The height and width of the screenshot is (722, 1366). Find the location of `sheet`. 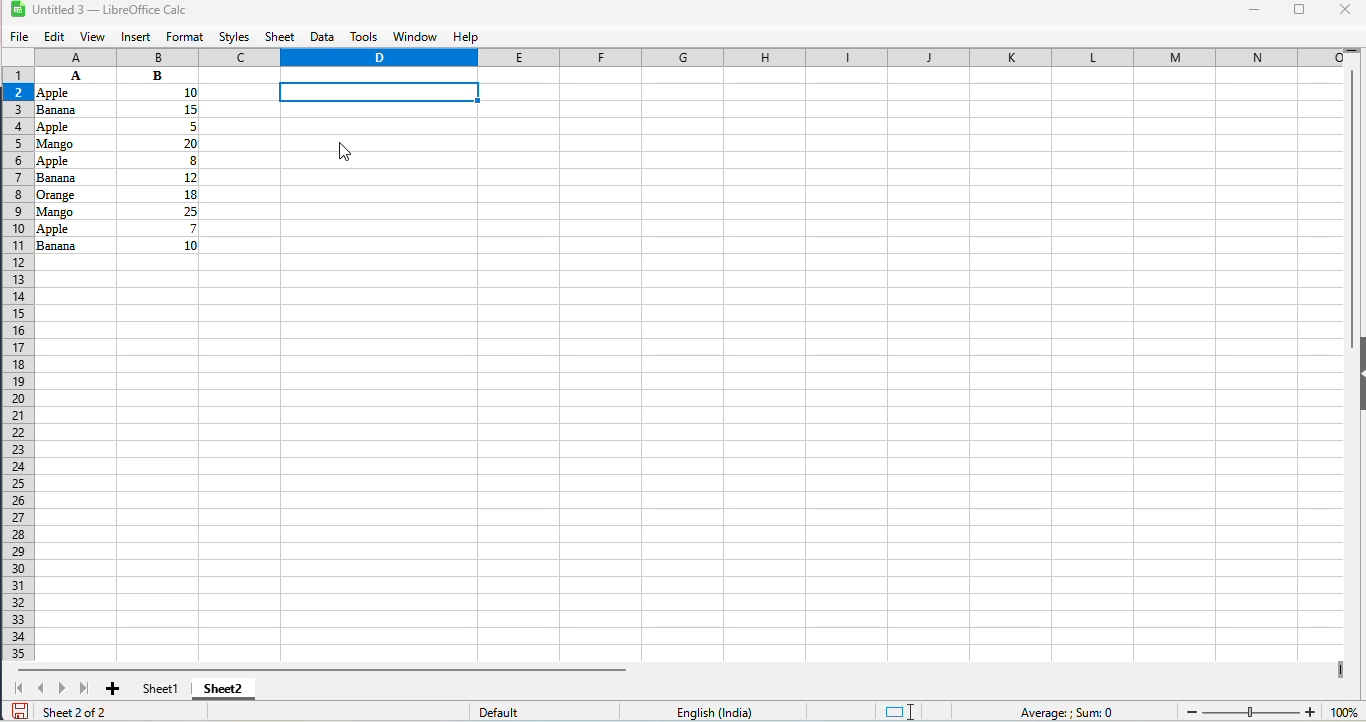

sheet is located at coordinates (279, 38).